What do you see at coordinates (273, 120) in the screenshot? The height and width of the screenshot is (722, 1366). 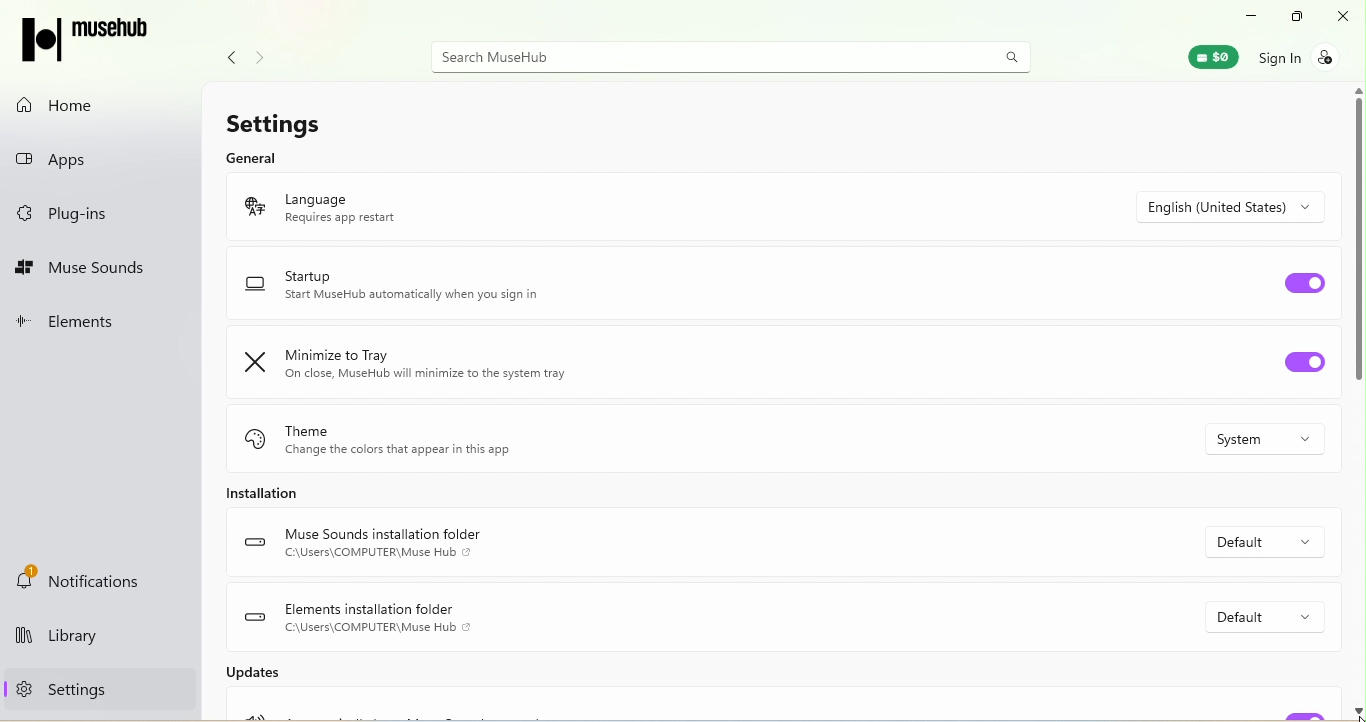 I see `Settings ` at bounding box center [273, 120].